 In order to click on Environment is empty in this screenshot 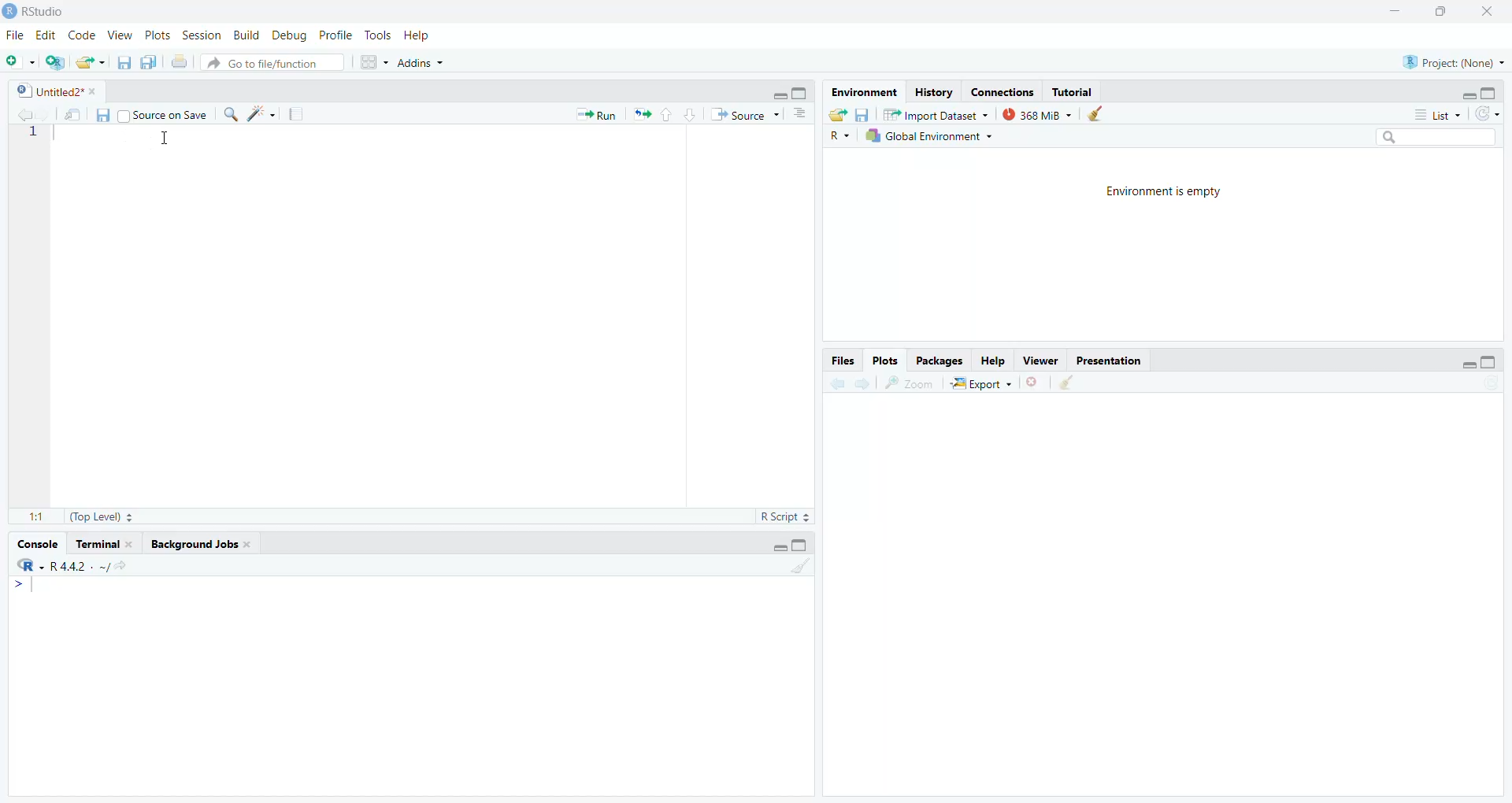, I will do `click(1170, 192)`.